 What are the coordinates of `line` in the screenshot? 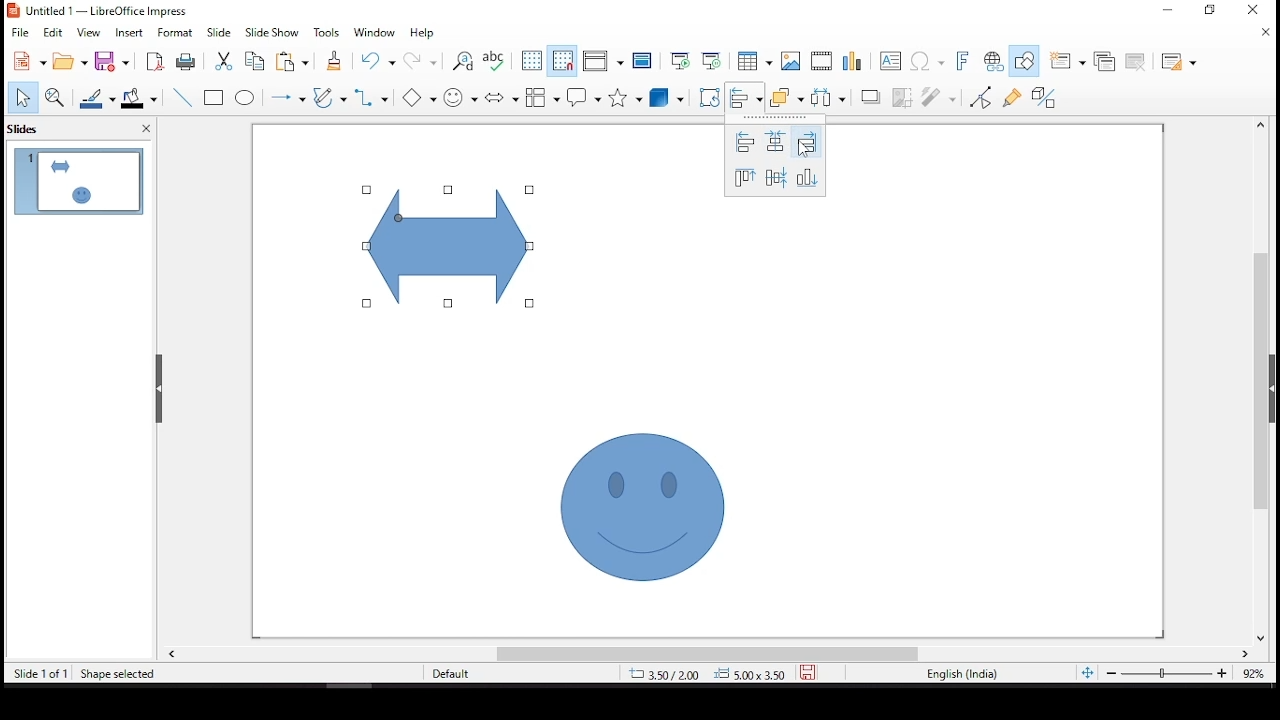 It's located at (182, 98).